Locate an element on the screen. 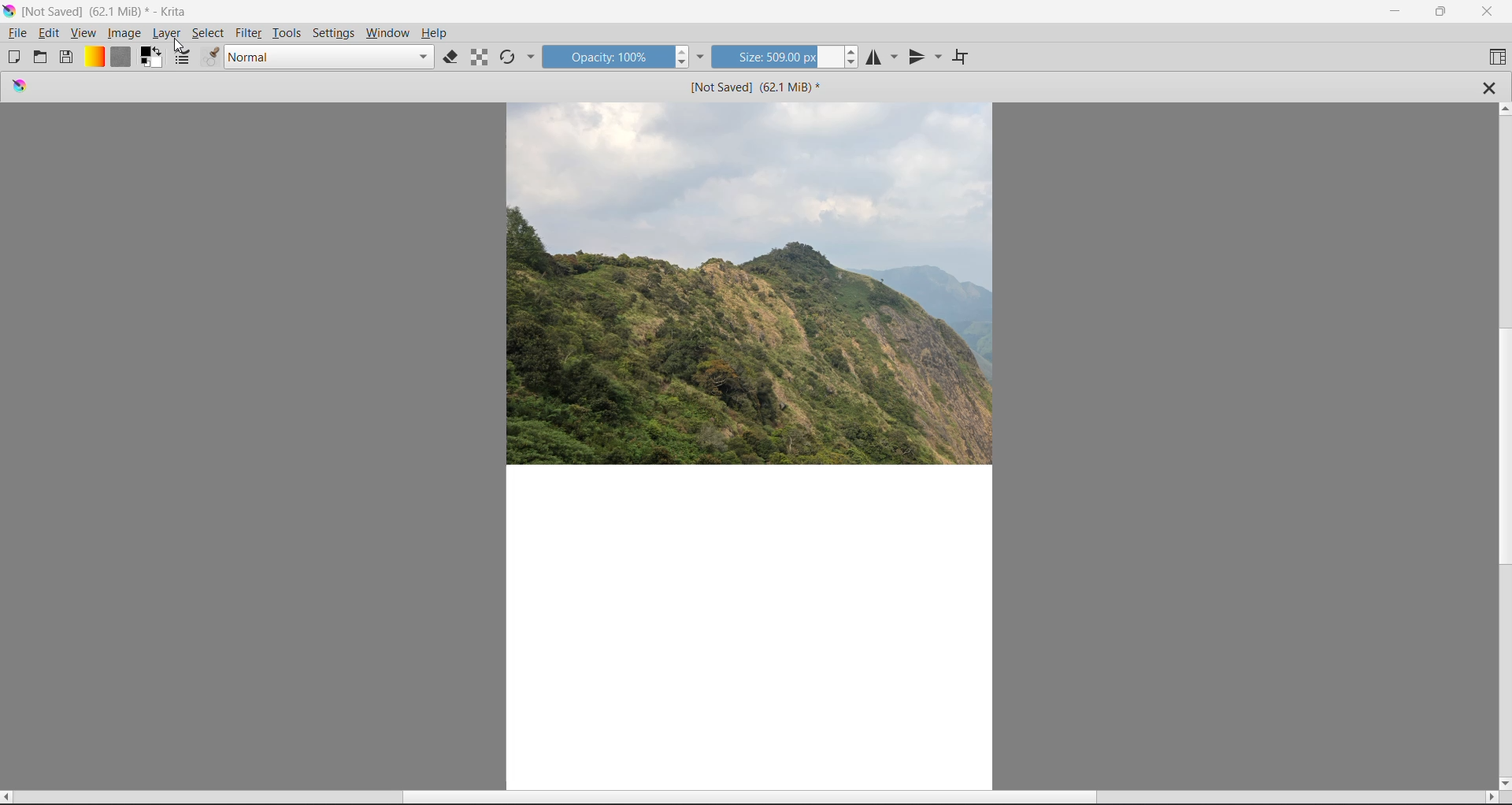 The height and width of the screenshot is (805, 1512). Open an existing Document is located at coordinates (41, 58).